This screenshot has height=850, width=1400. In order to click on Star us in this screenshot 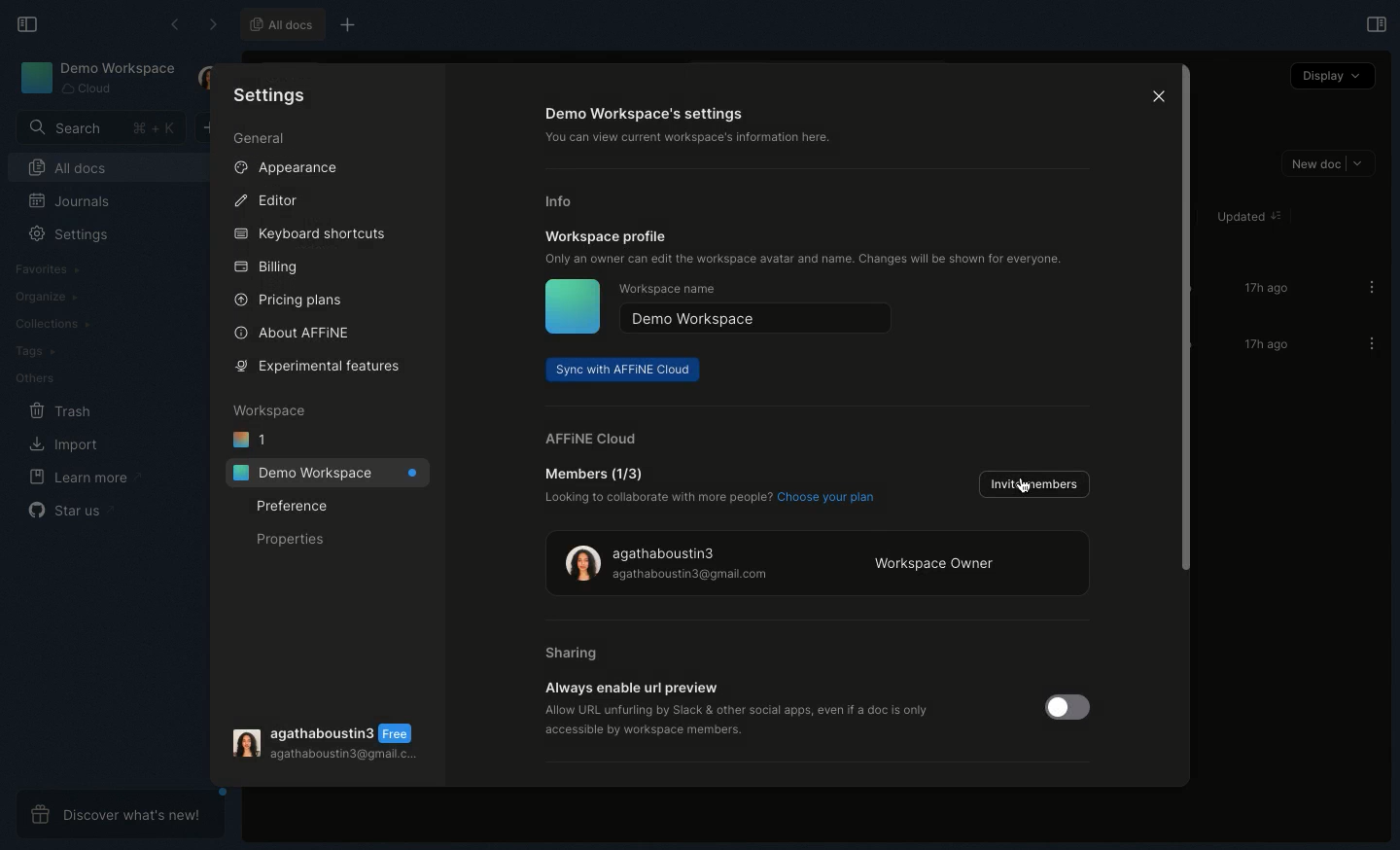, I will do `click(72, 510)`.